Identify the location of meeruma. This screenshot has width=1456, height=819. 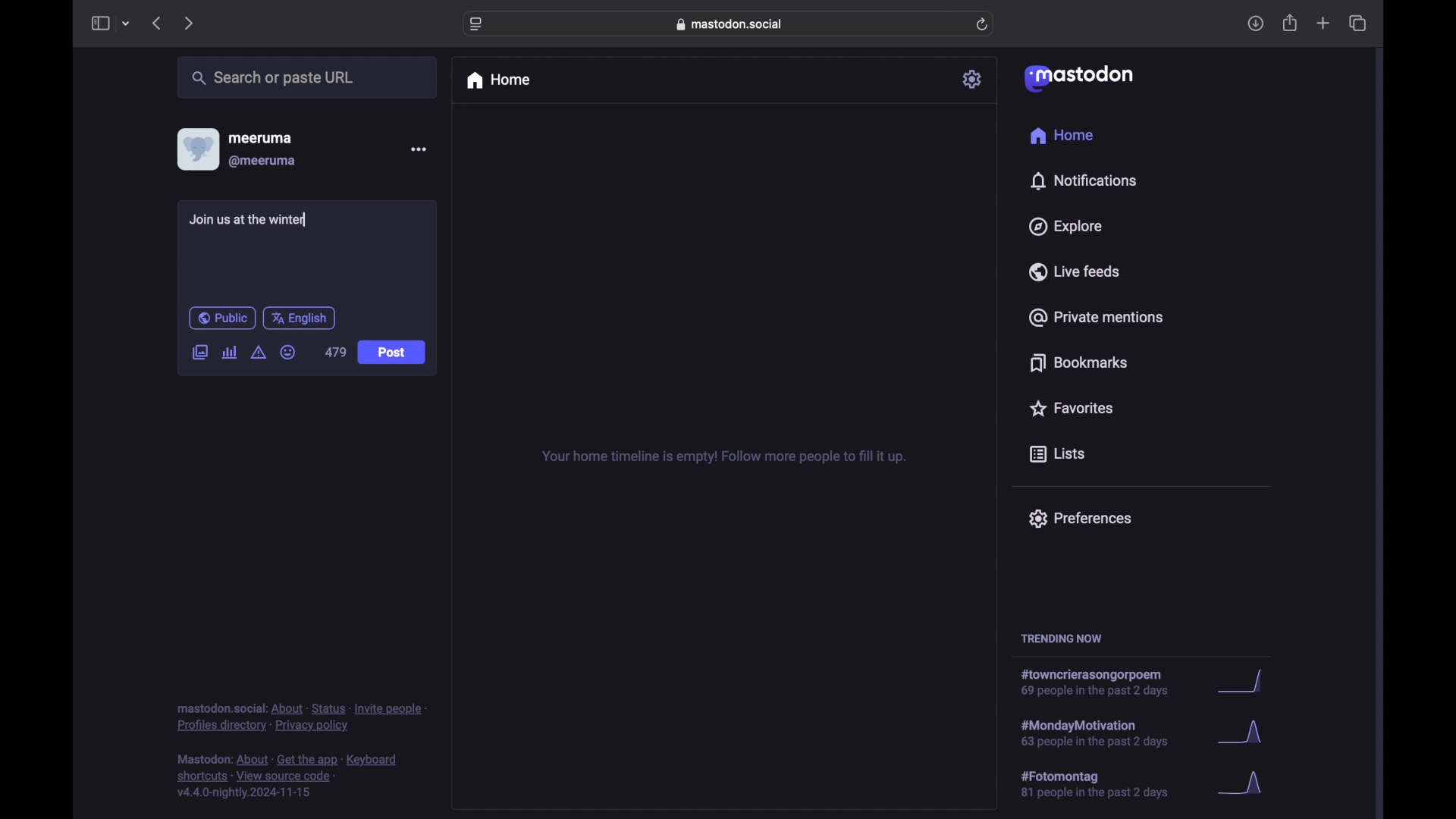
(260, 137).